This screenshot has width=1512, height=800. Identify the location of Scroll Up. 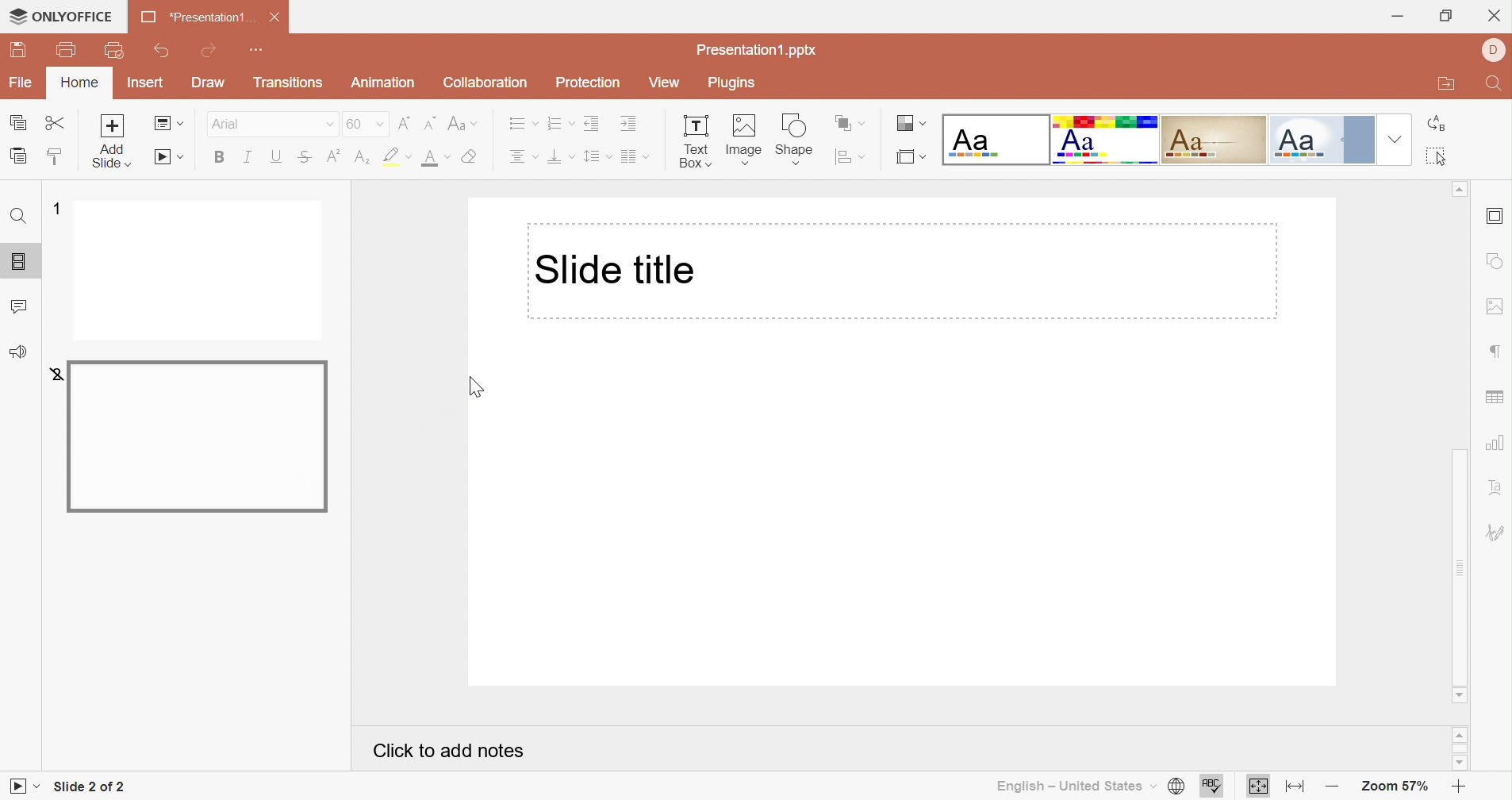
(1461, 733).